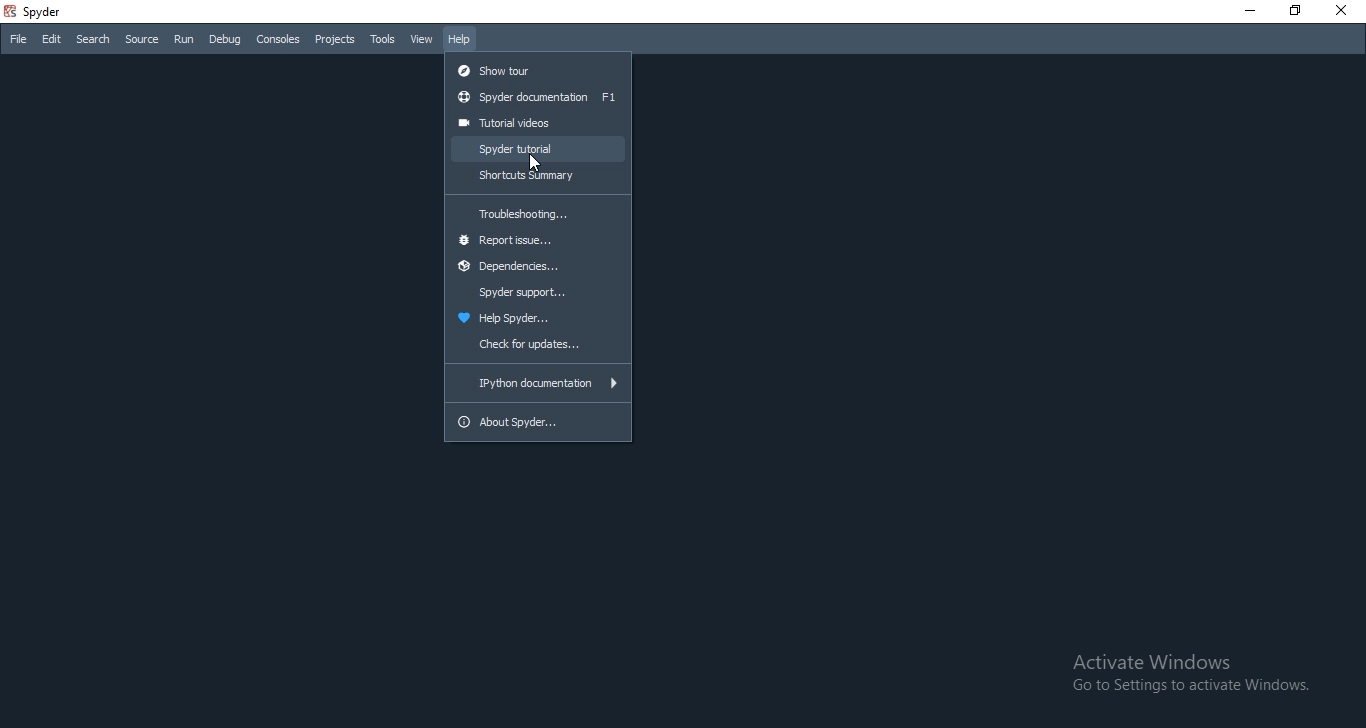 The height and width of the screenshot is (728, 1366). What do you see at coordinates (1188, 672) in the screenshot?
I see `Activate Windows
Go to Settings to activate Windows.` at bounding box center [1188, 672].